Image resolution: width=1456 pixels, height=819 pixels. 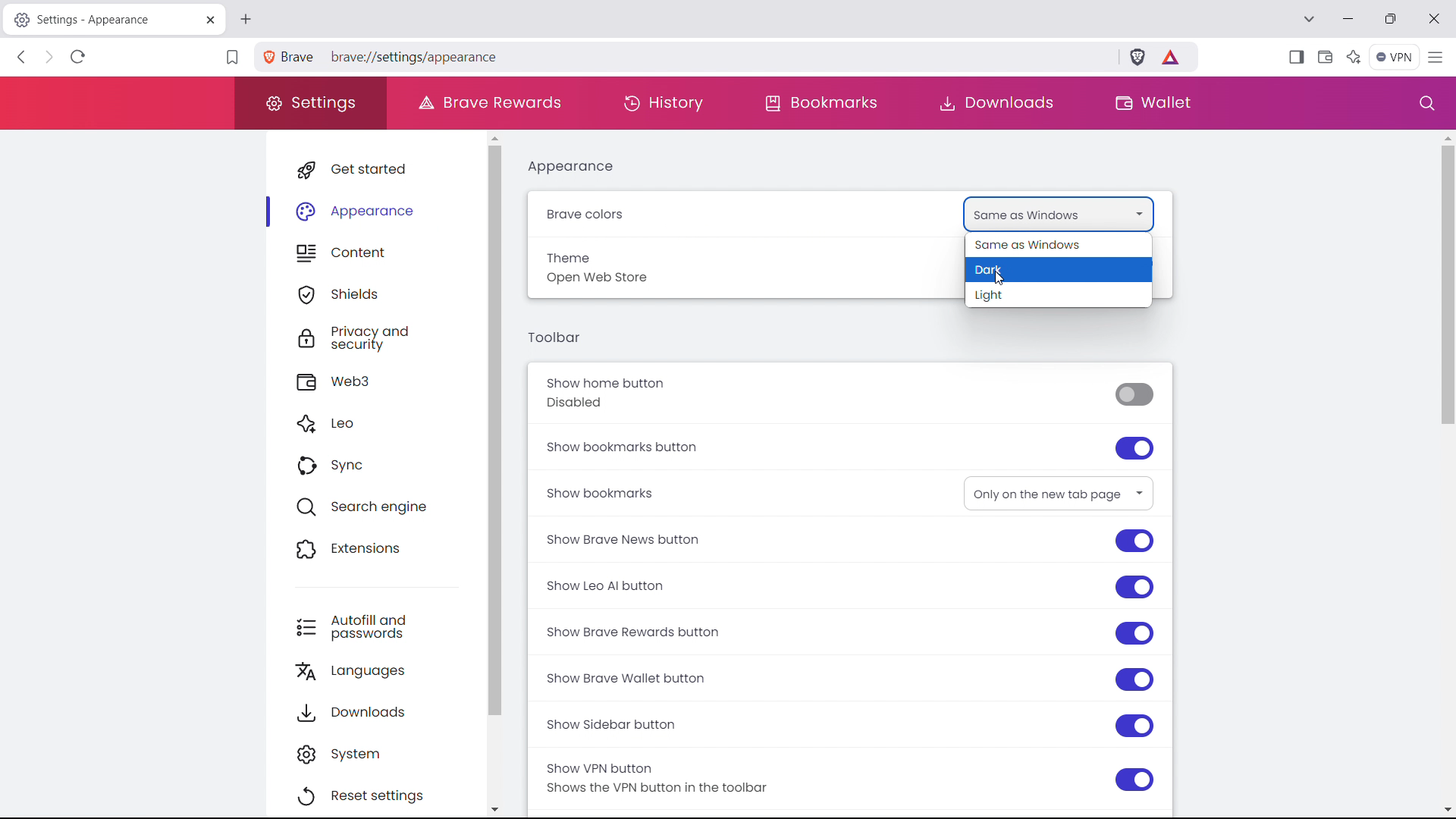 I want to click on drak, so click(x=1059, y=269).